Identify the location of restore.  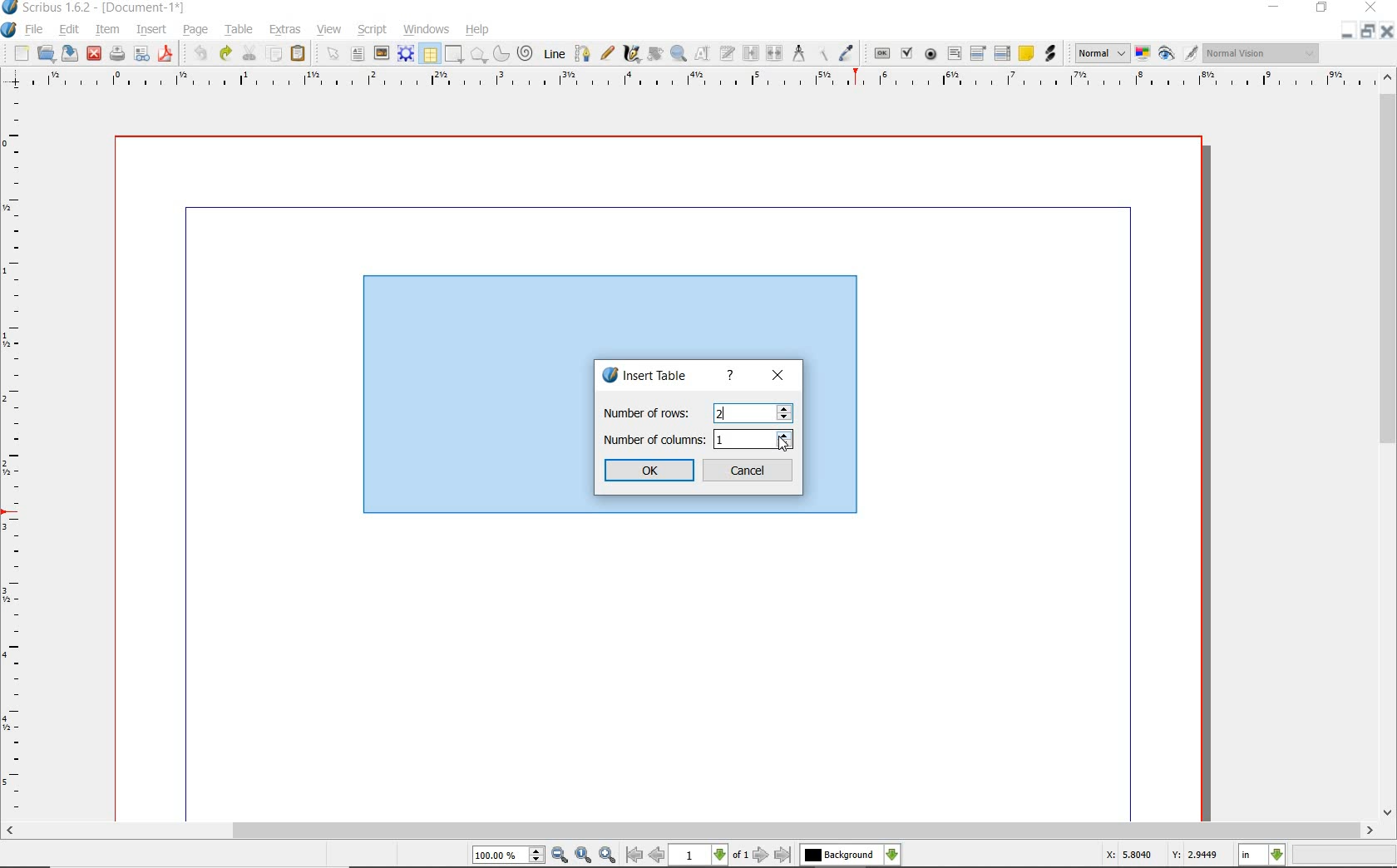
(1366, 32).